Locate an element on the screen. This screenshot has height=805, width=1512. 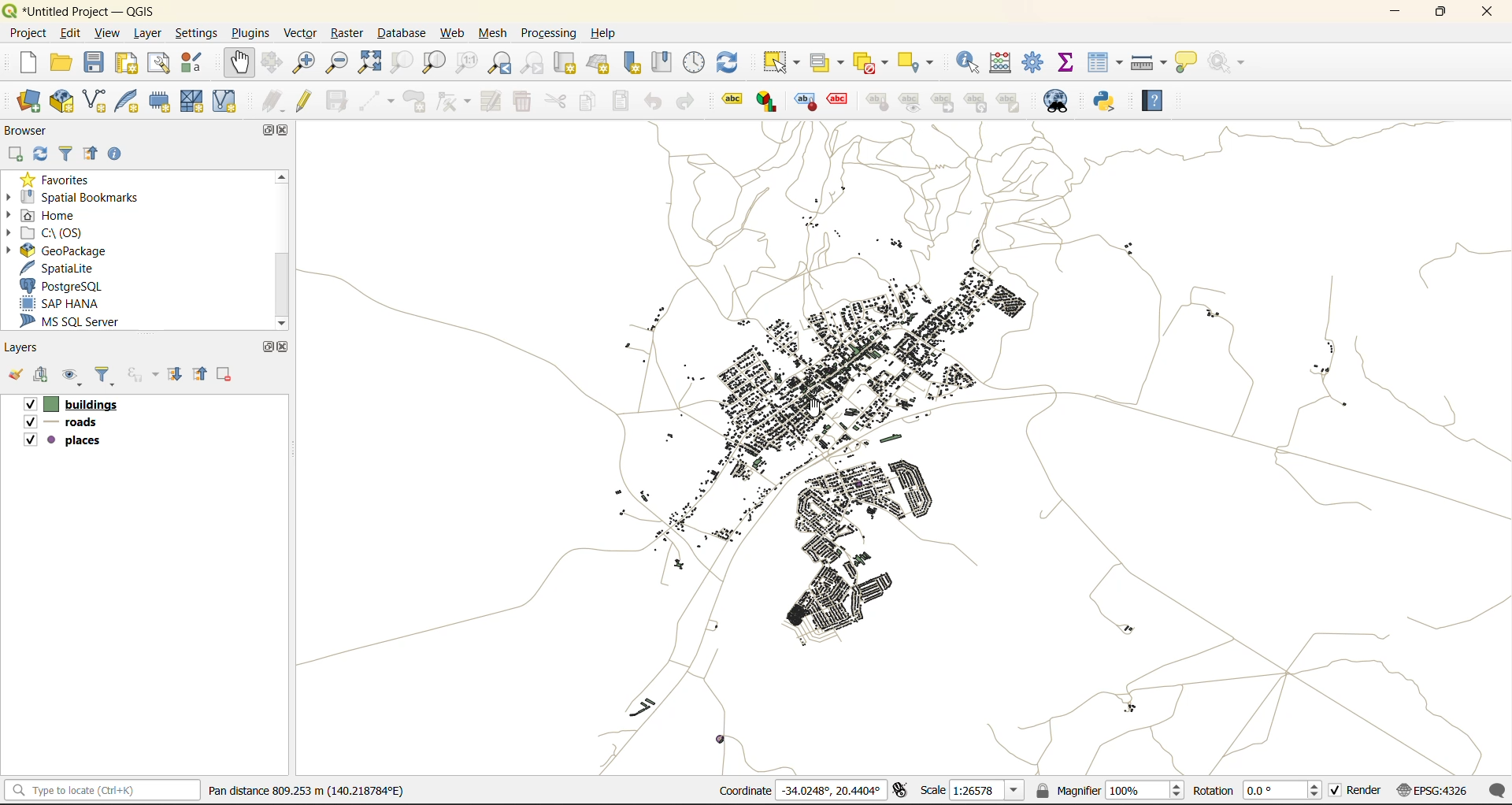
crs is located at coordinates (1436, 792).